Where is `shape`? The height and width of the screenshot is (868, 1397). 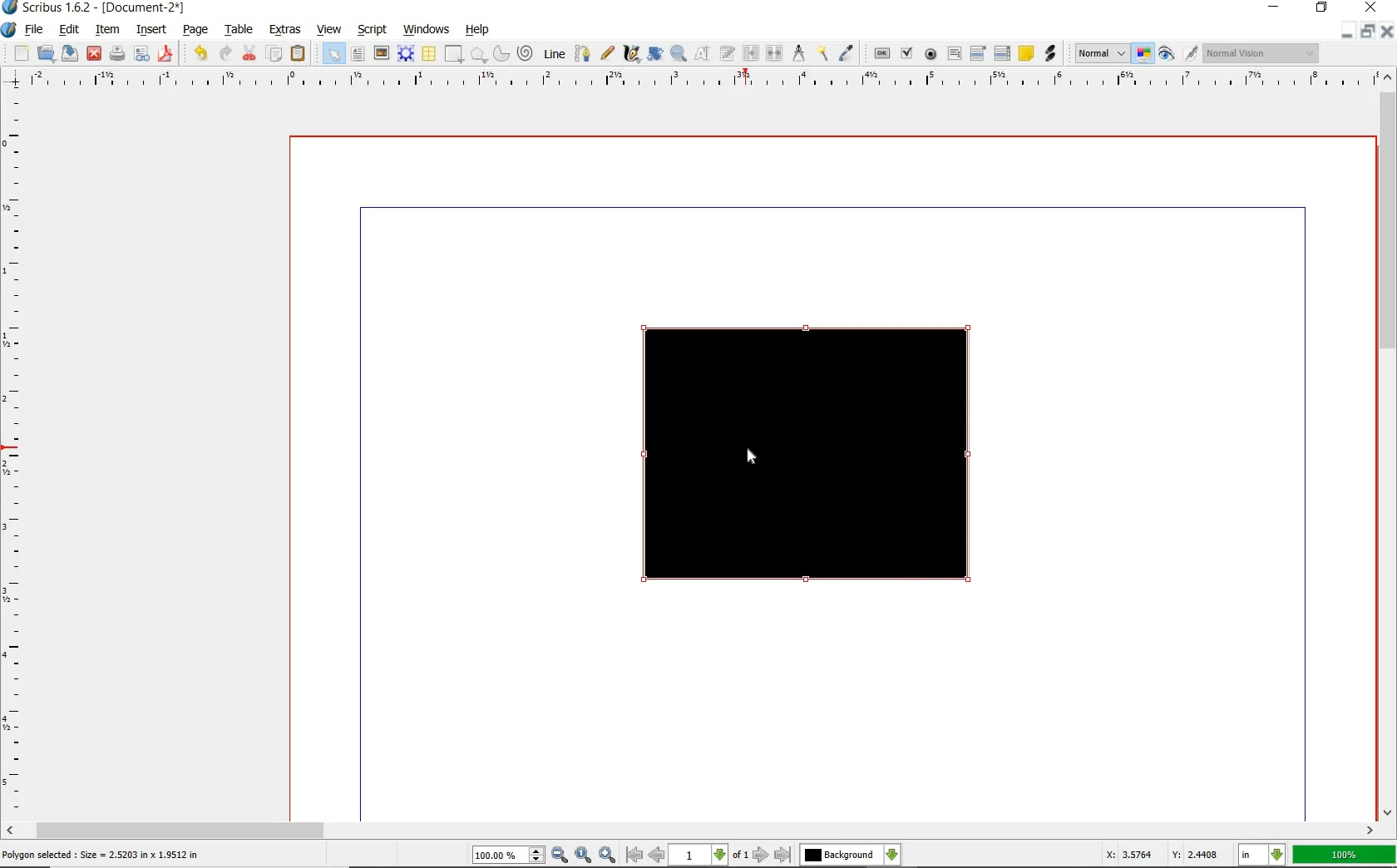 shape is located at coordinates (454, 53).